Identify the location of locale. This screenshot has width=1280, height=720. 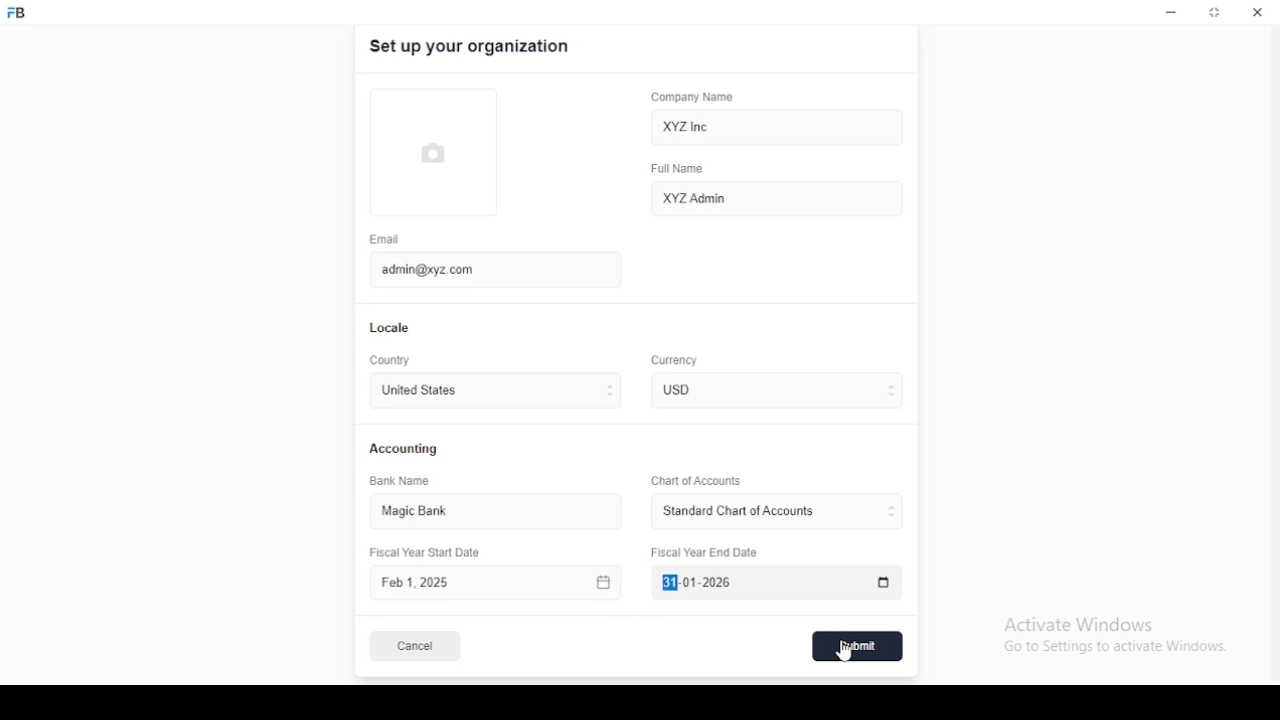
(391, 328).